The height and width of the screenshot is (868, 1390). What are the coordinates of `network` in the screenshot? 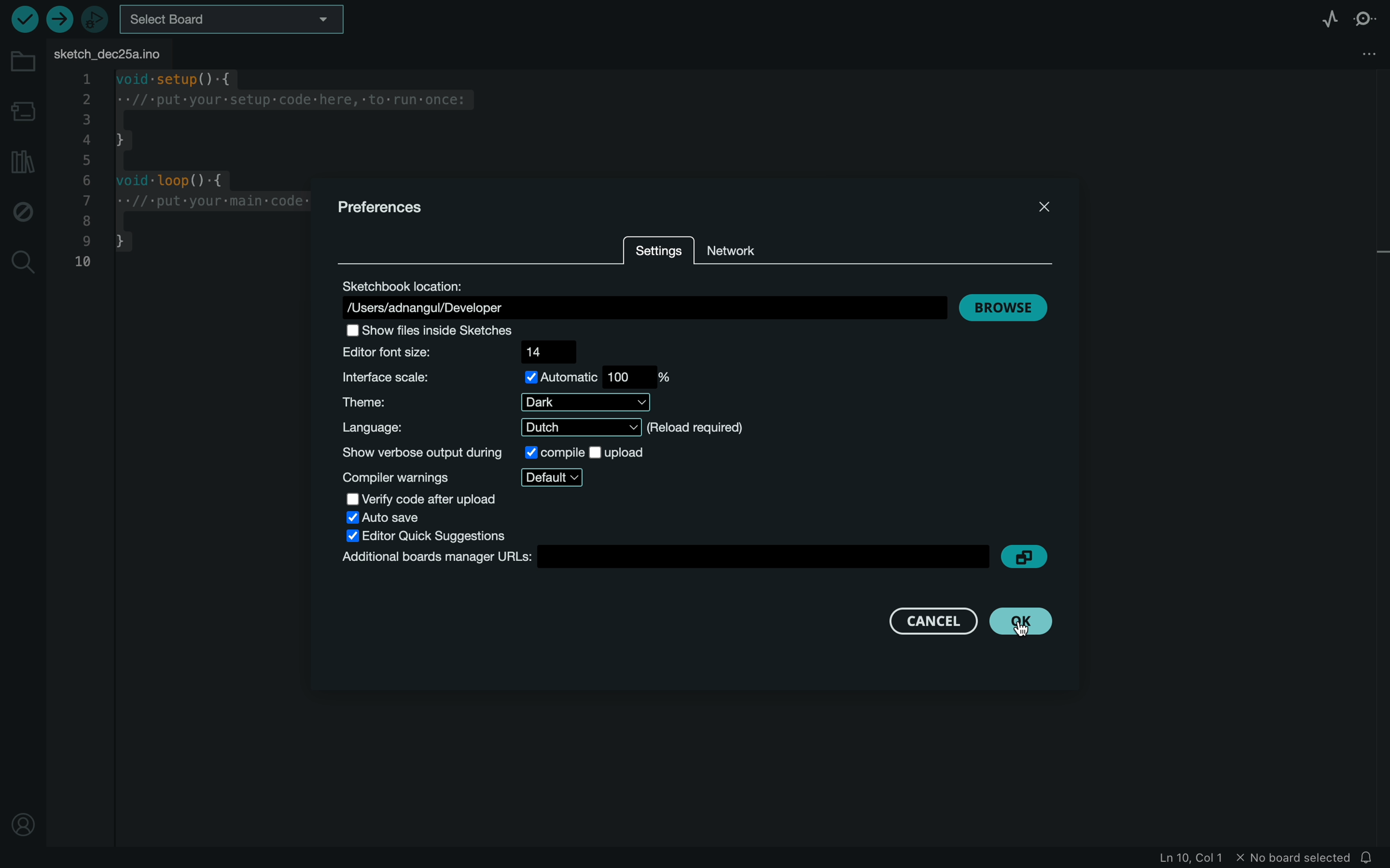 It's located at (752, 242).